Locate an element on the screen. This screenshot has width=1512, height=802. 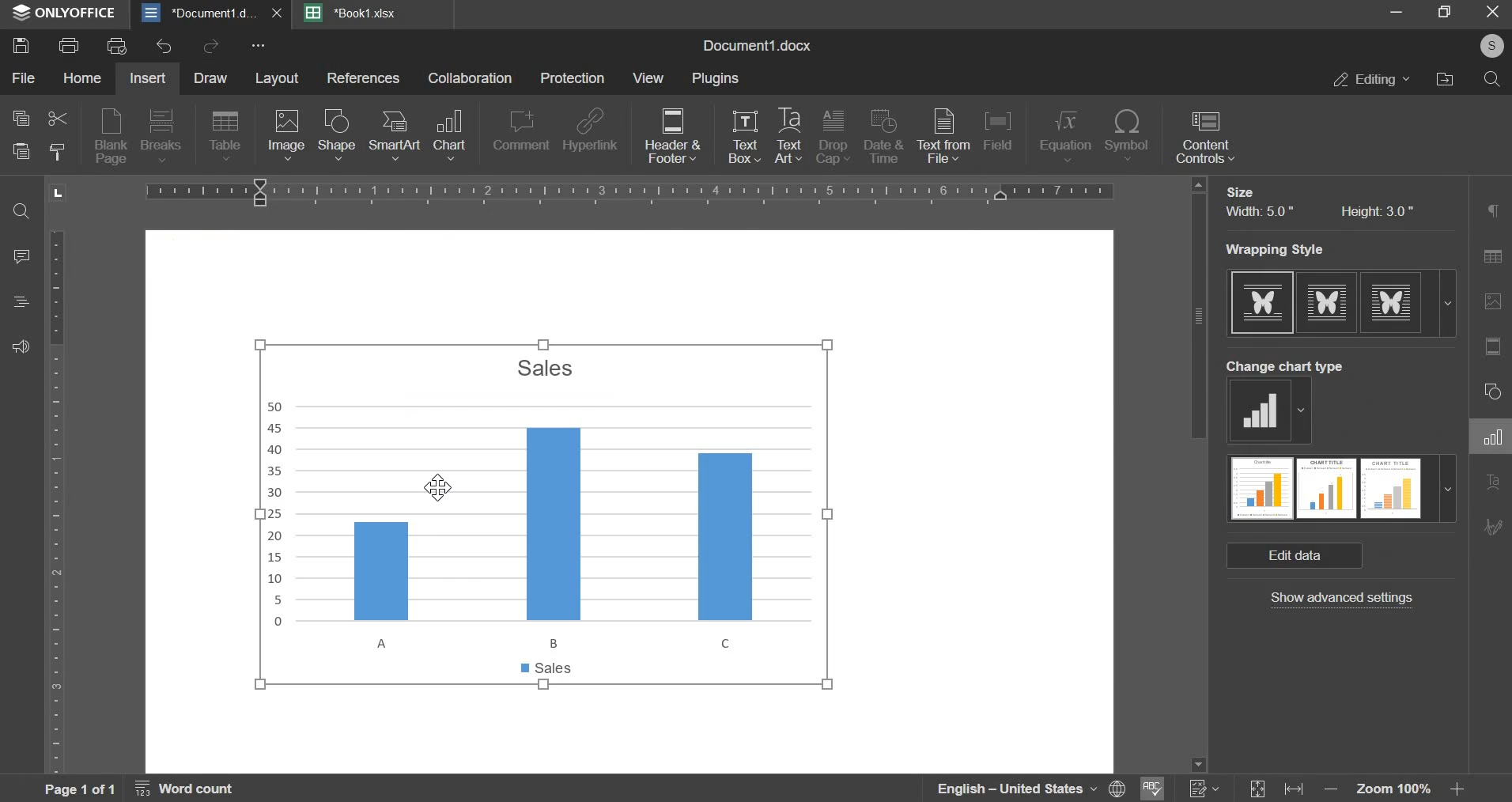
home is located at coordinates (81, 78).